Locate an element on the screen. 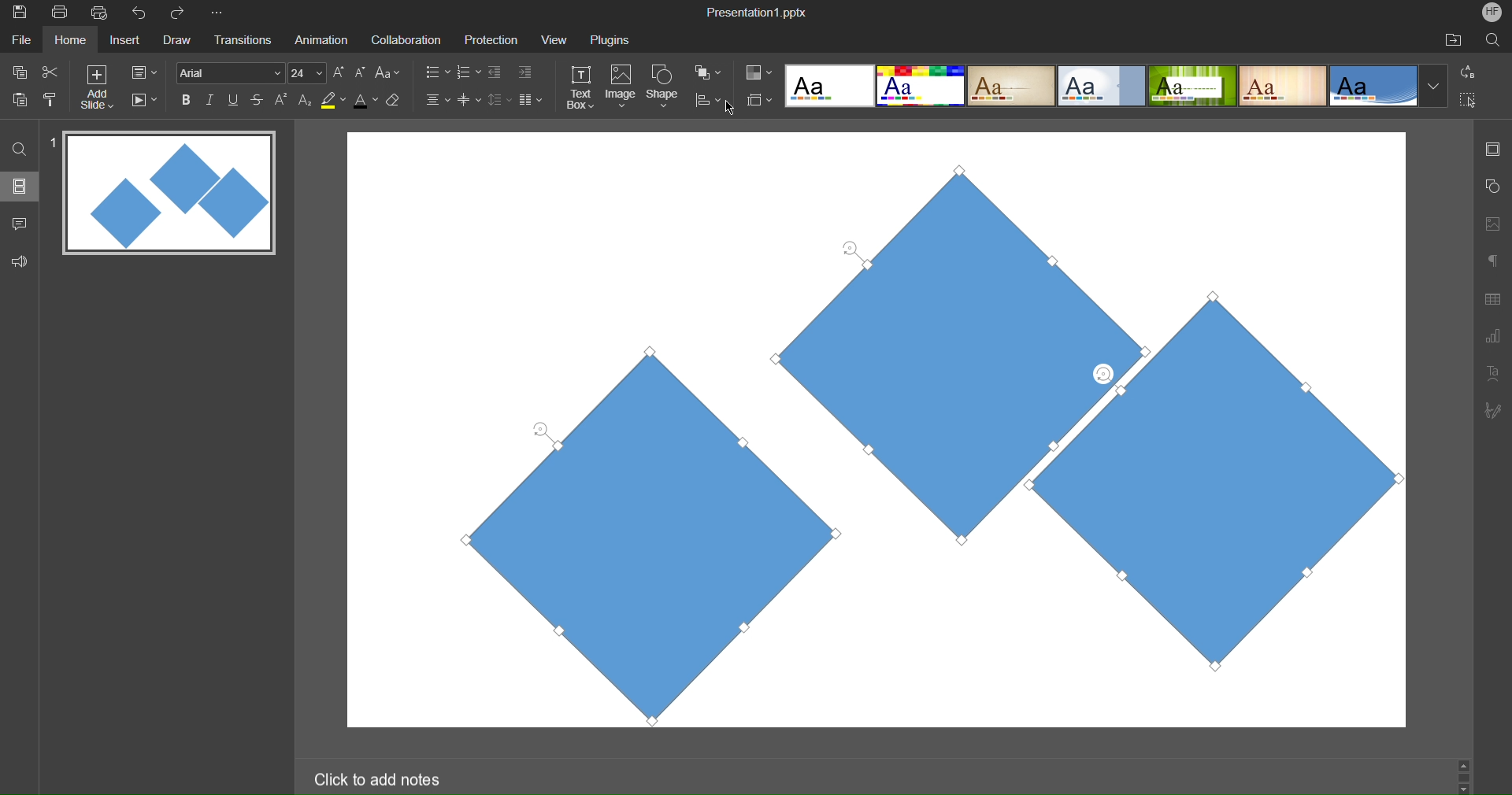 Image resolution: width=1512 pixels, height=795 pixels. Line Spacing is located at coordinates (498, 101).